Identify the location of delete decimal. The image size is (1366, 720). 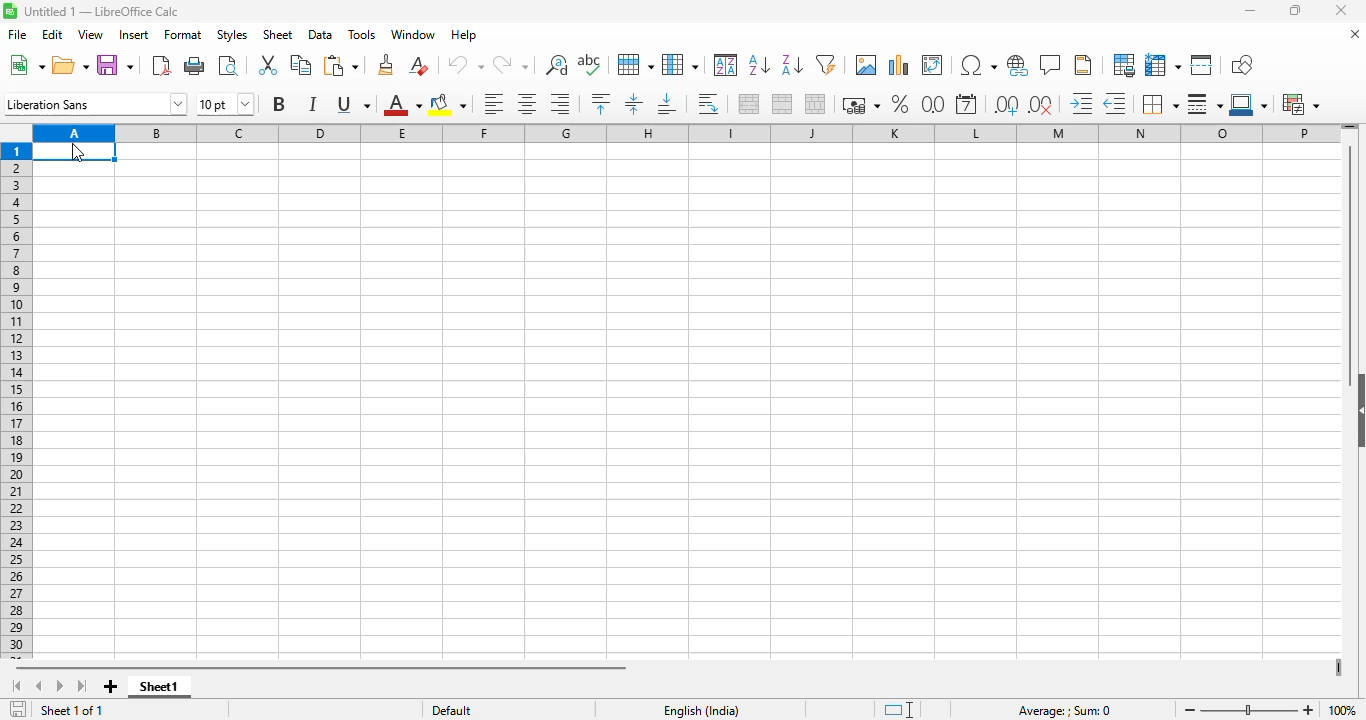
(1041, 105).